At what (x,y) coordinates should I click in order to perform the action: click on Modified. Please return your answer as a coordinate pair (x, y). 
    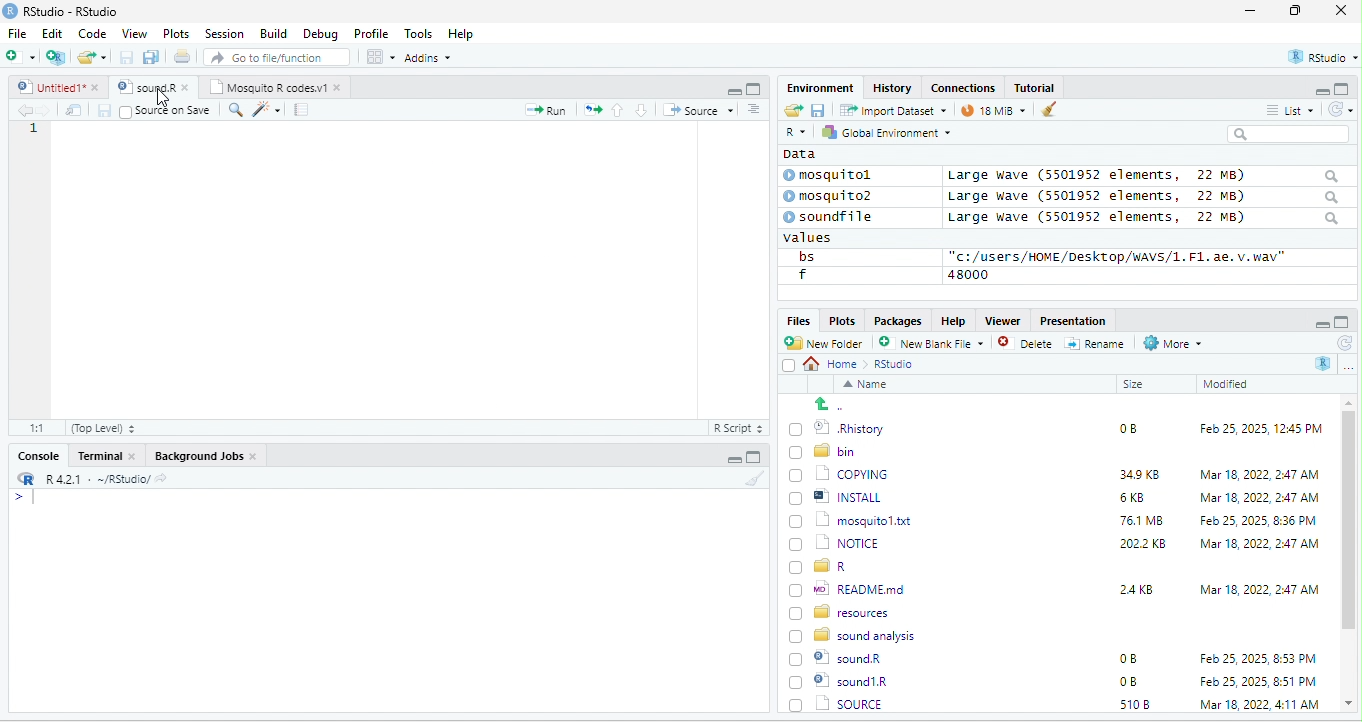
    Looking at the image, I should click on (1227, 384).